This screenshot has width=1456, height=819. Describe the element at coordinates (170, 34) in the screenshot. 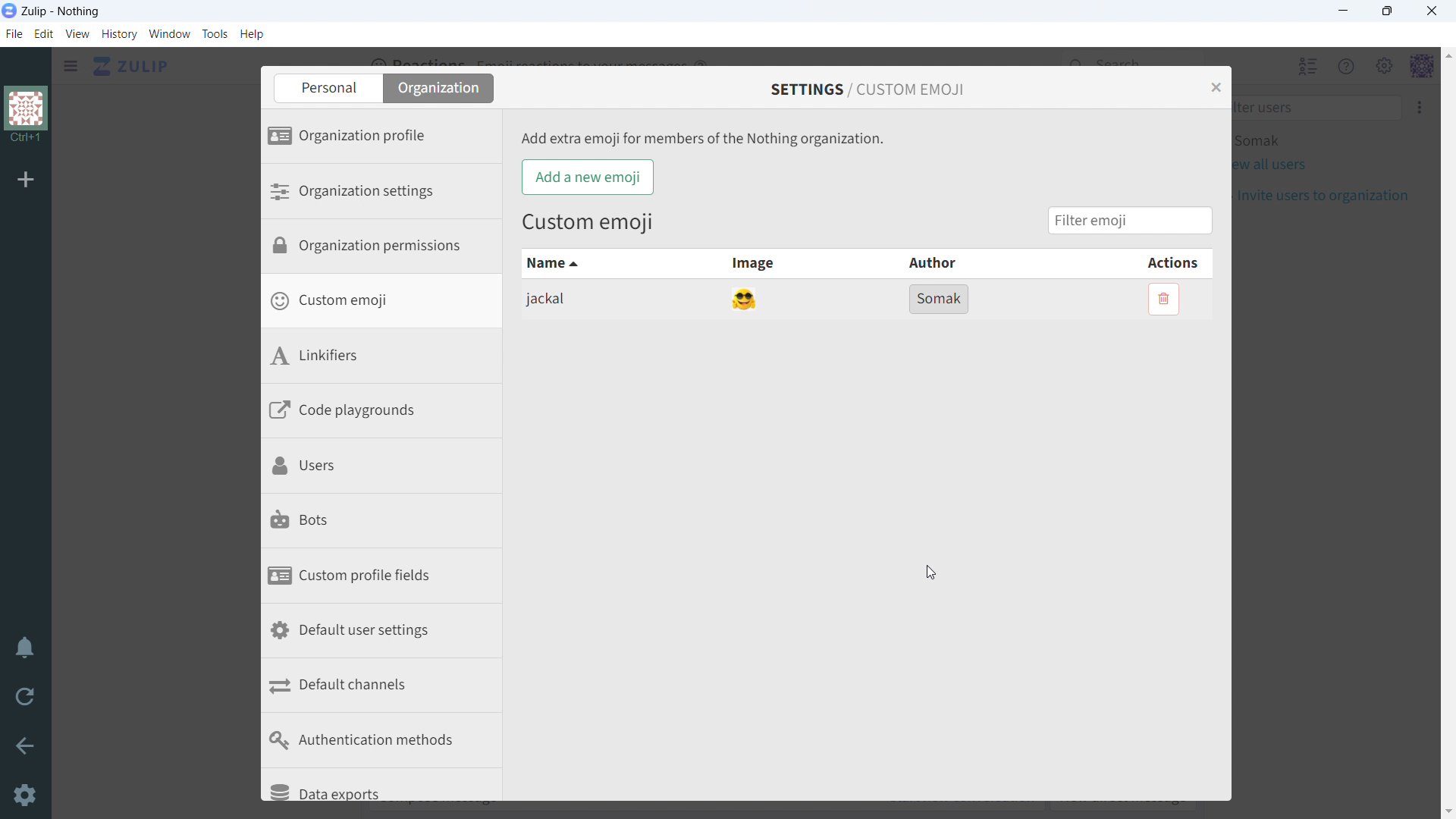

I see `window` at that location.